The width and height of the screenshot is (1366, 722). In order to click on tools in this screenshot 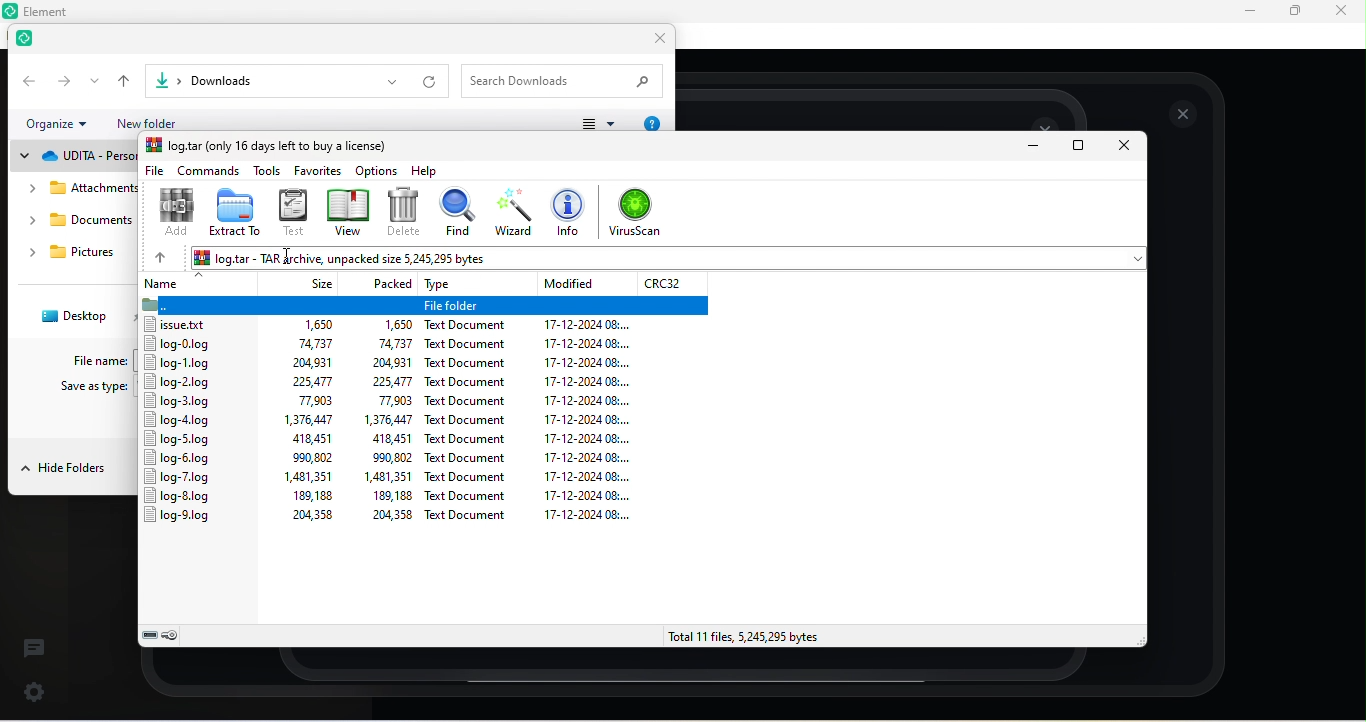, I will do `click(267, 172)`.